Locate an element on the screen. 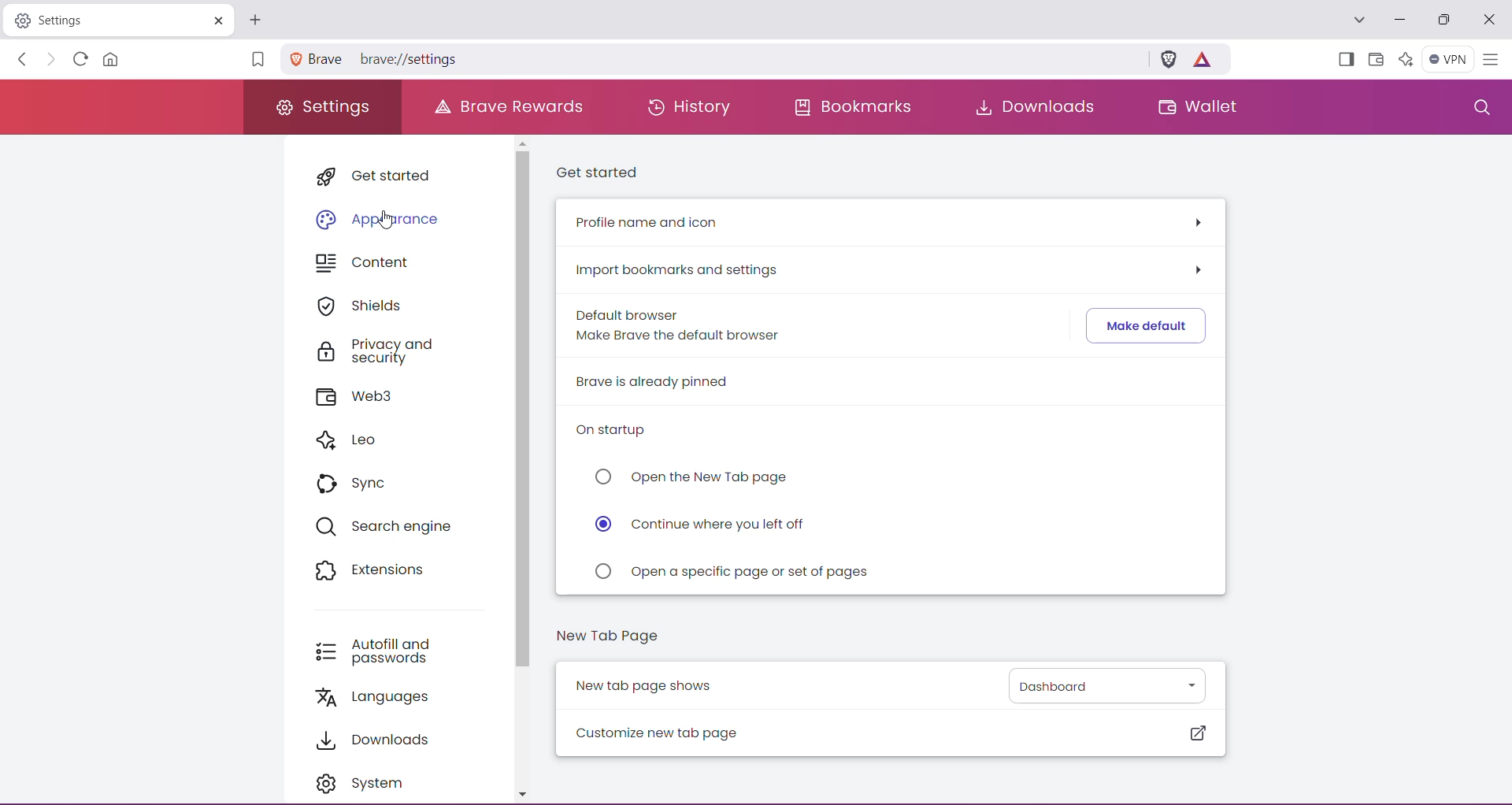 The width and height of the screenshot is (1512, 805). History is located at coordinates (685, 106).